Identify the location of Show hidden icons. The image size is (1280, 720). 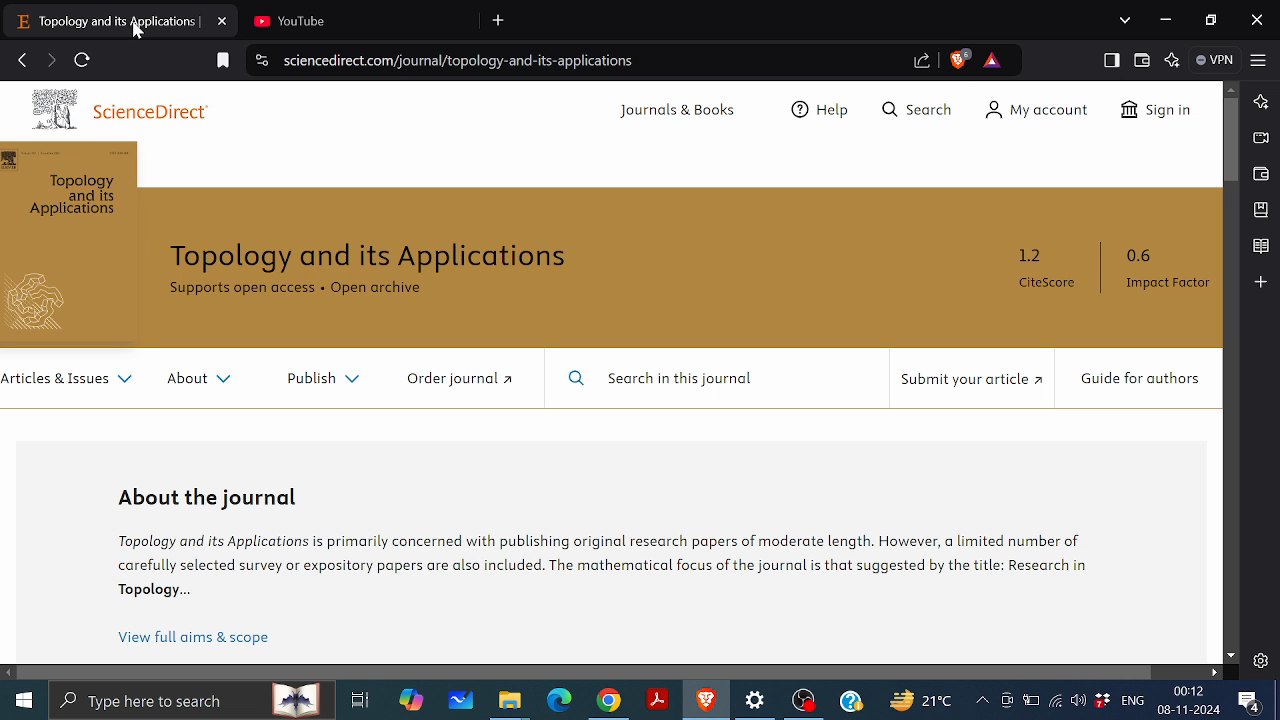
(982, 701).